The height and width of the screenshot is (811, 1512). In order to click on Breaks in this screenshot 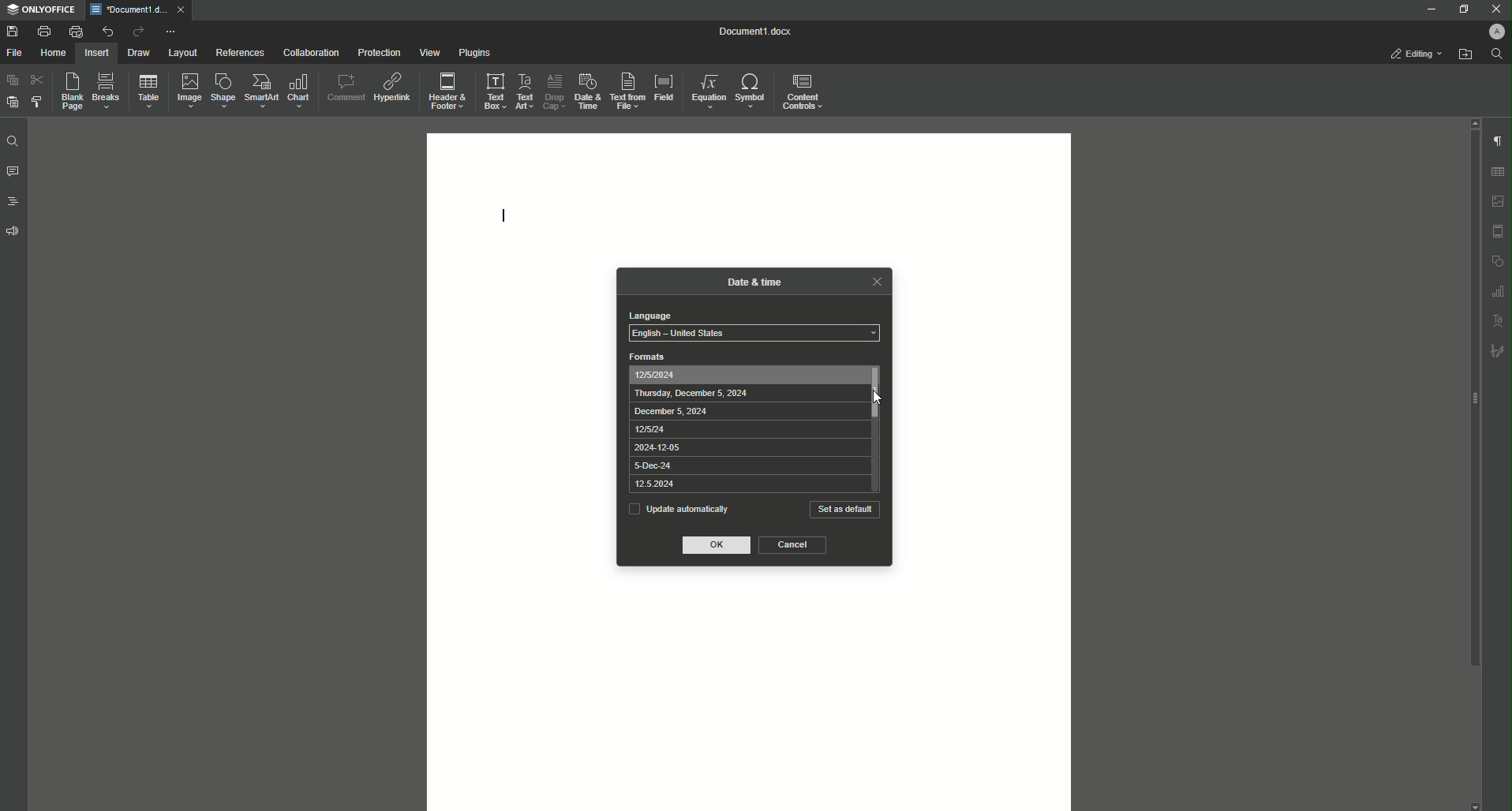, I will do `click(106, 92)`.